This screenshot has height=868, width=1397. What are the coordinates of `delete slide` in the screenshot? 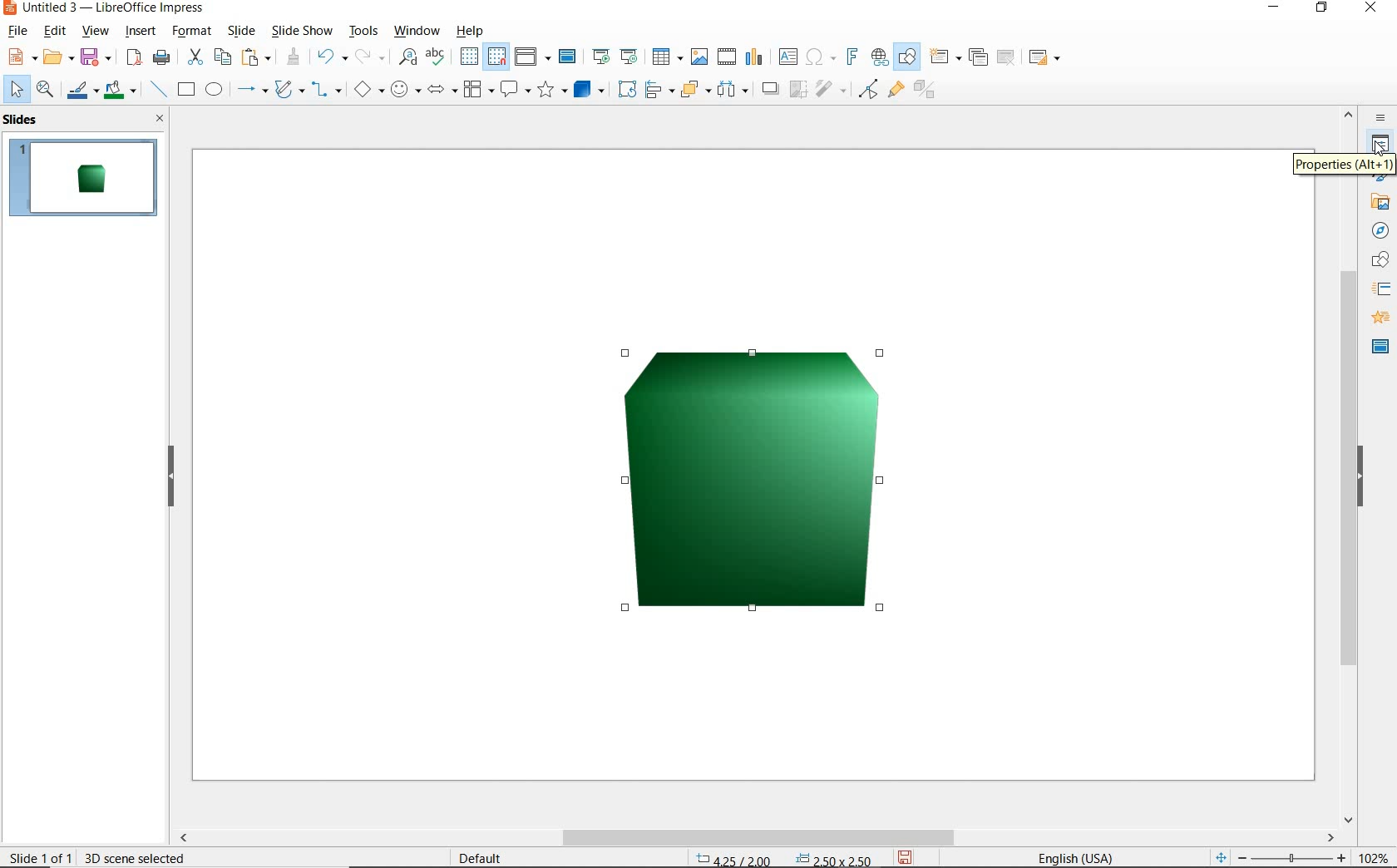 It's located at (1007, 57).